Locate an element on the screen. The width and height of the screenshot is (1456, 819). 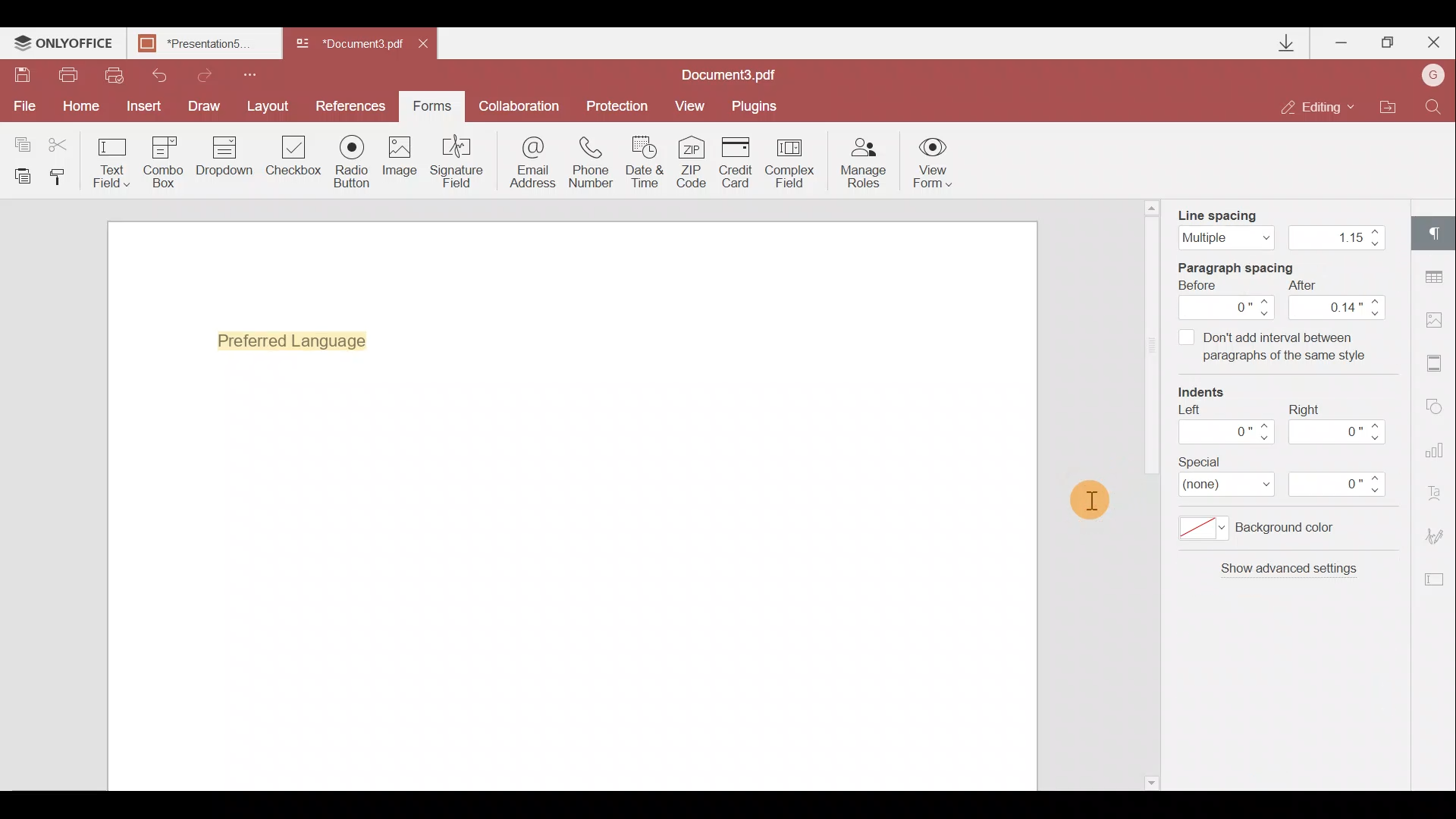
Print file is located at coordinates (70, 76).